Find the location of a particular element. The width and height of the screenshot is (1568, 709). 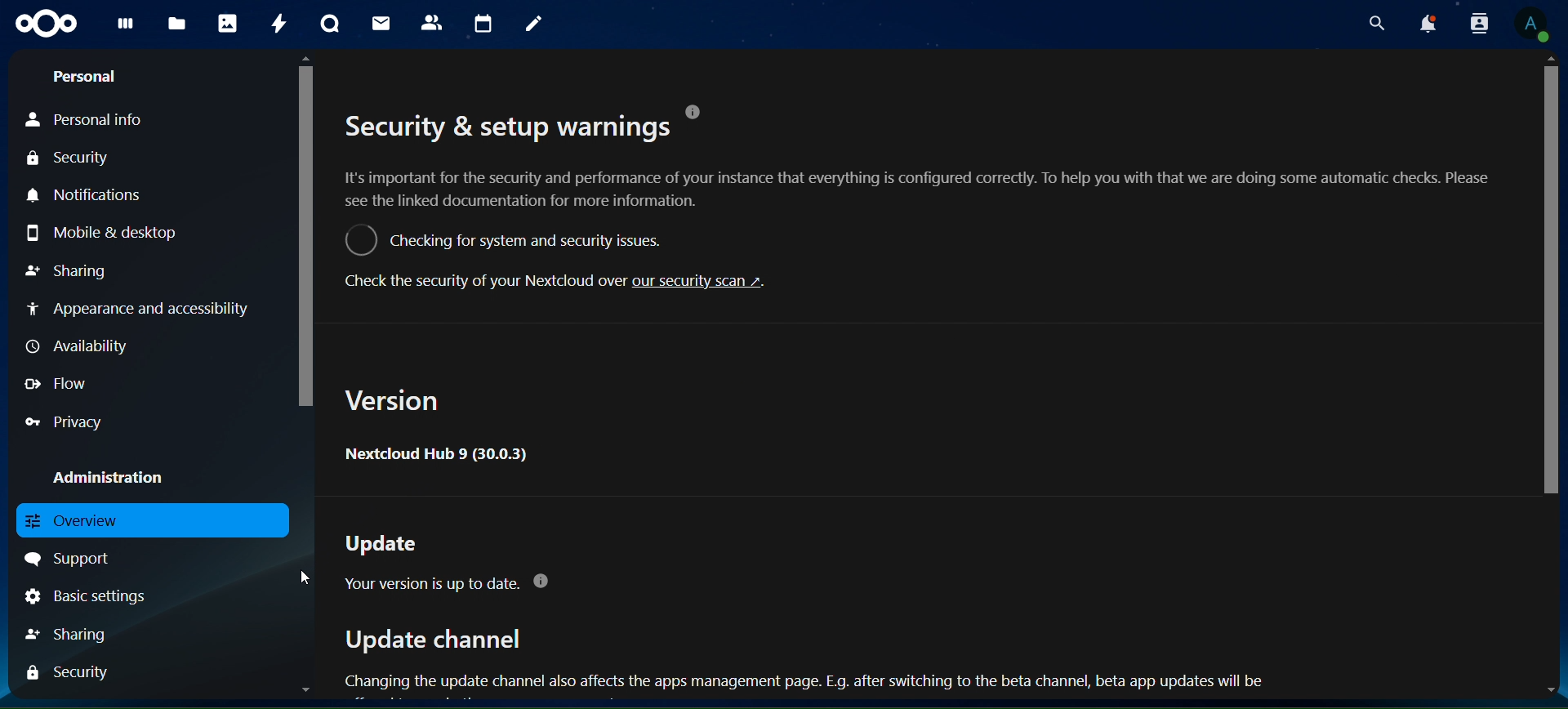

personal is located at coordinates (91, 76).